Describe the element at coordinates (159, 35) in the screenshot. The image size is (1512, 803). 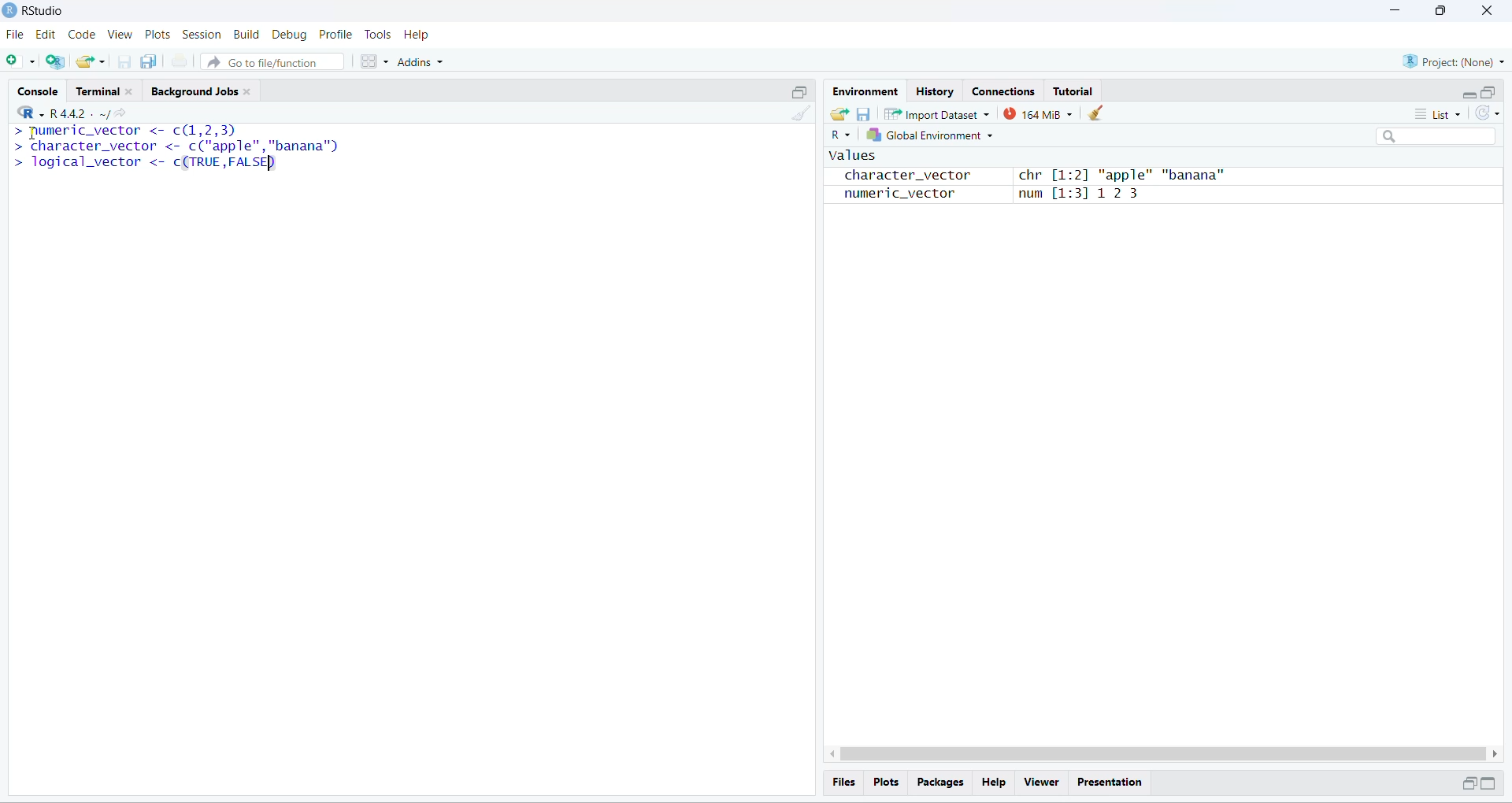
I see `Plots` at that location.